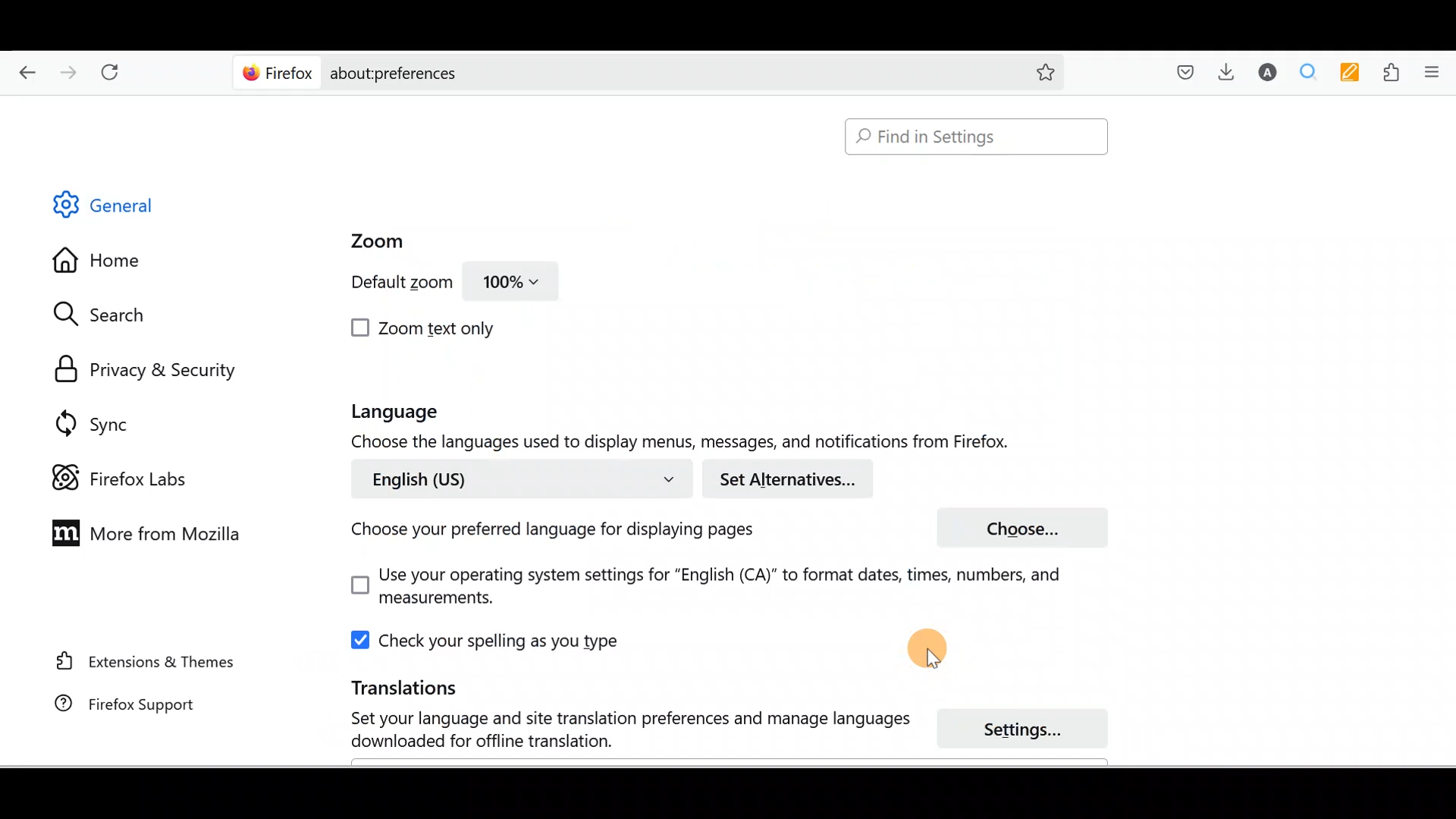 The image size is (1456, 819). Describe the element at coordinates (1034, 71) in the screenshot. I see `Bookmark this page` at that location.